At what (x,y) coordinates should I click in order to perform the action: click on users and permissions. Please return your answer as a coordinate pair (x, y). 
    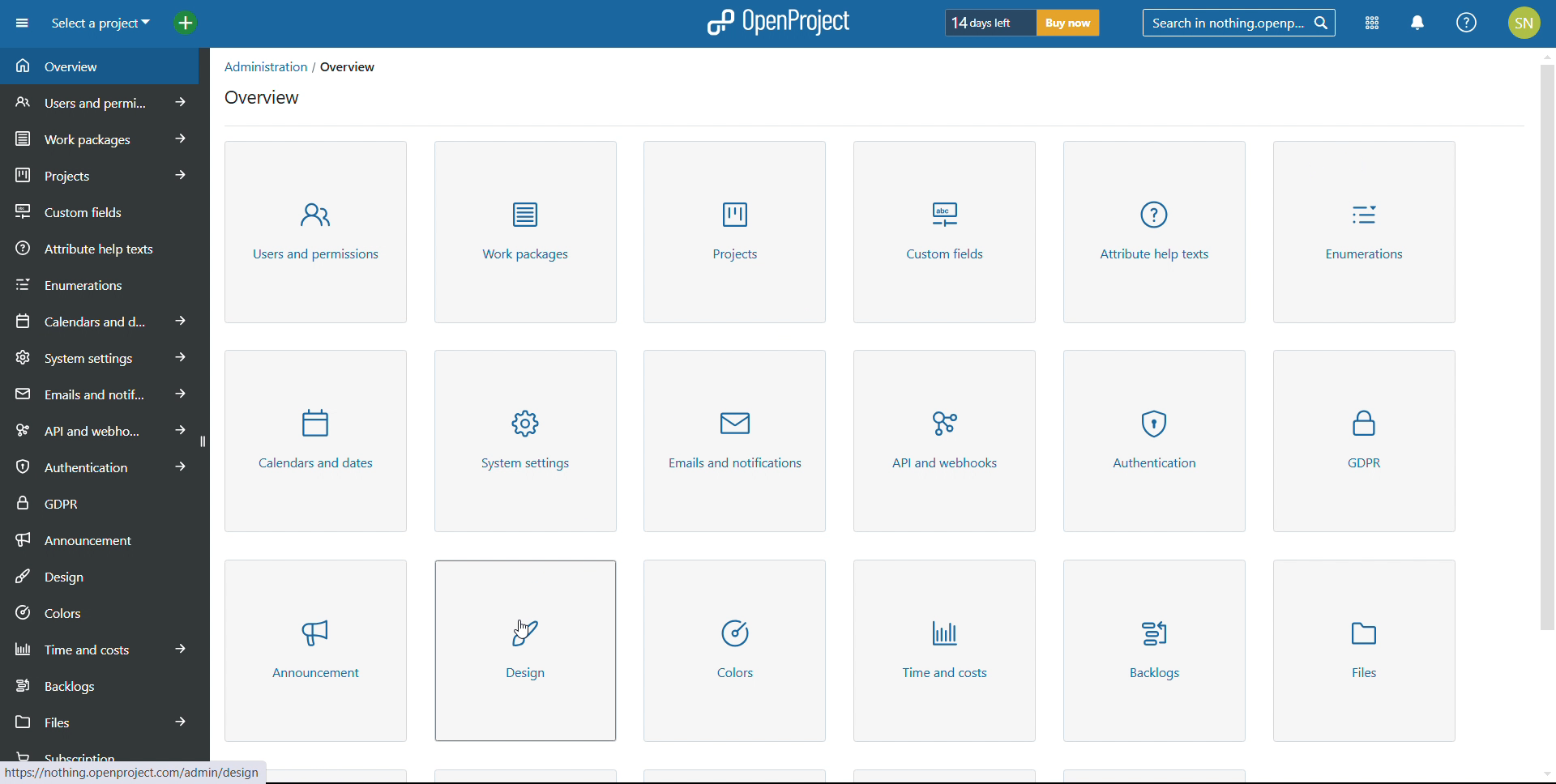
    Looking at the image, I should click on (317, 232).